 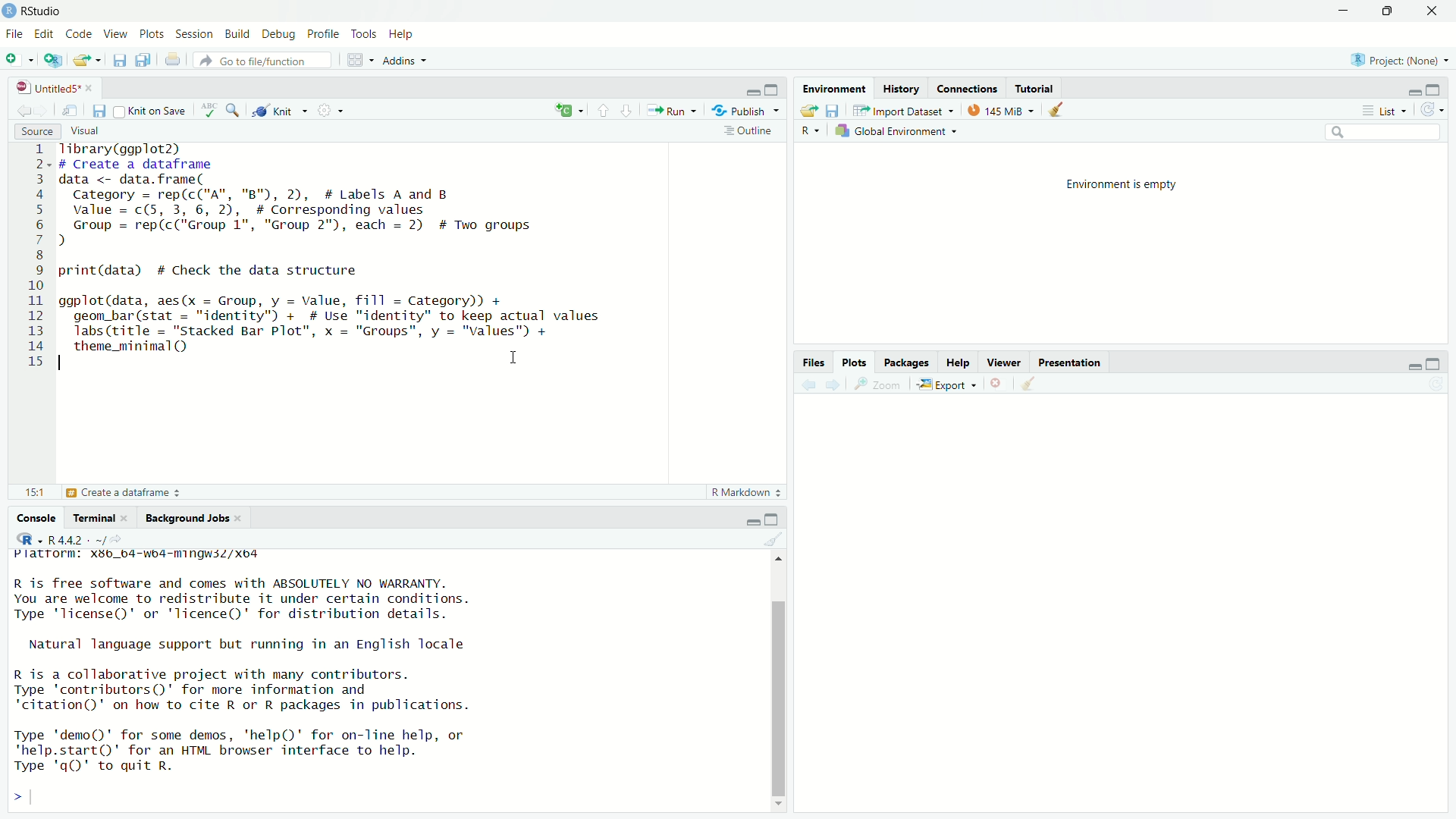 I want to click on Minimize, so click(x=752, y=91).